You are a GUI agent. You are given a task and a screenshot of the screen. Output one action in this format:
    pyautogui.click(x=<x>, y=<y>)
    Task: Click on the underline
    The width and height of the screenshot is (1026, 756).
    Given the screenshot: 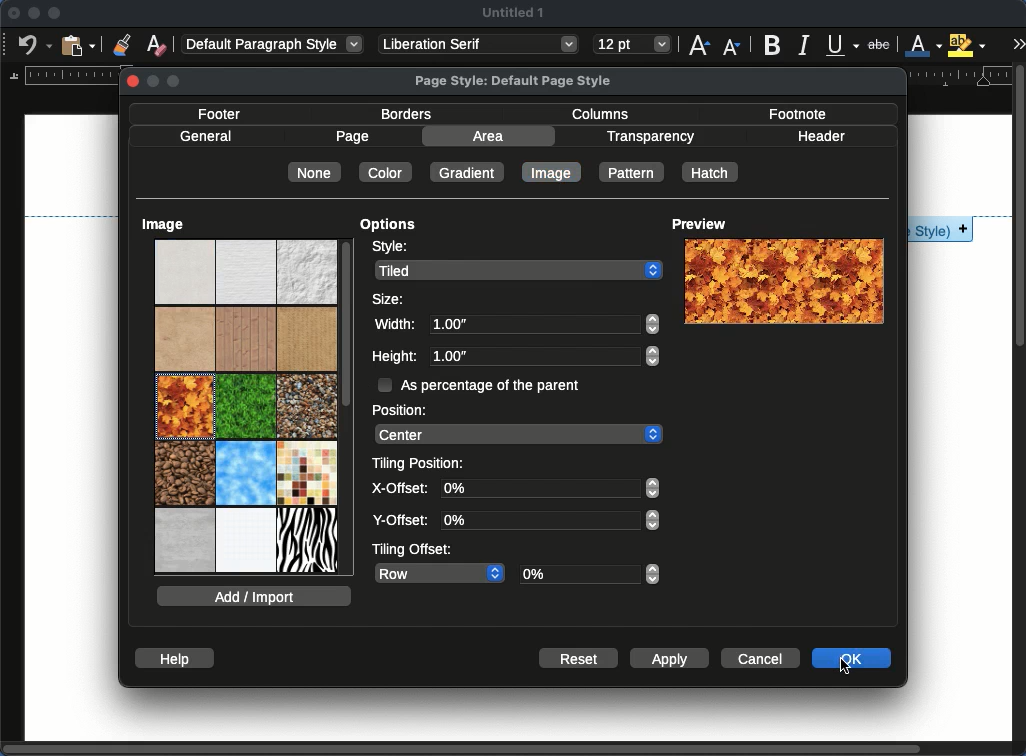 What is the action you would take?
    pyautogui.click(x=842, y=42)
    